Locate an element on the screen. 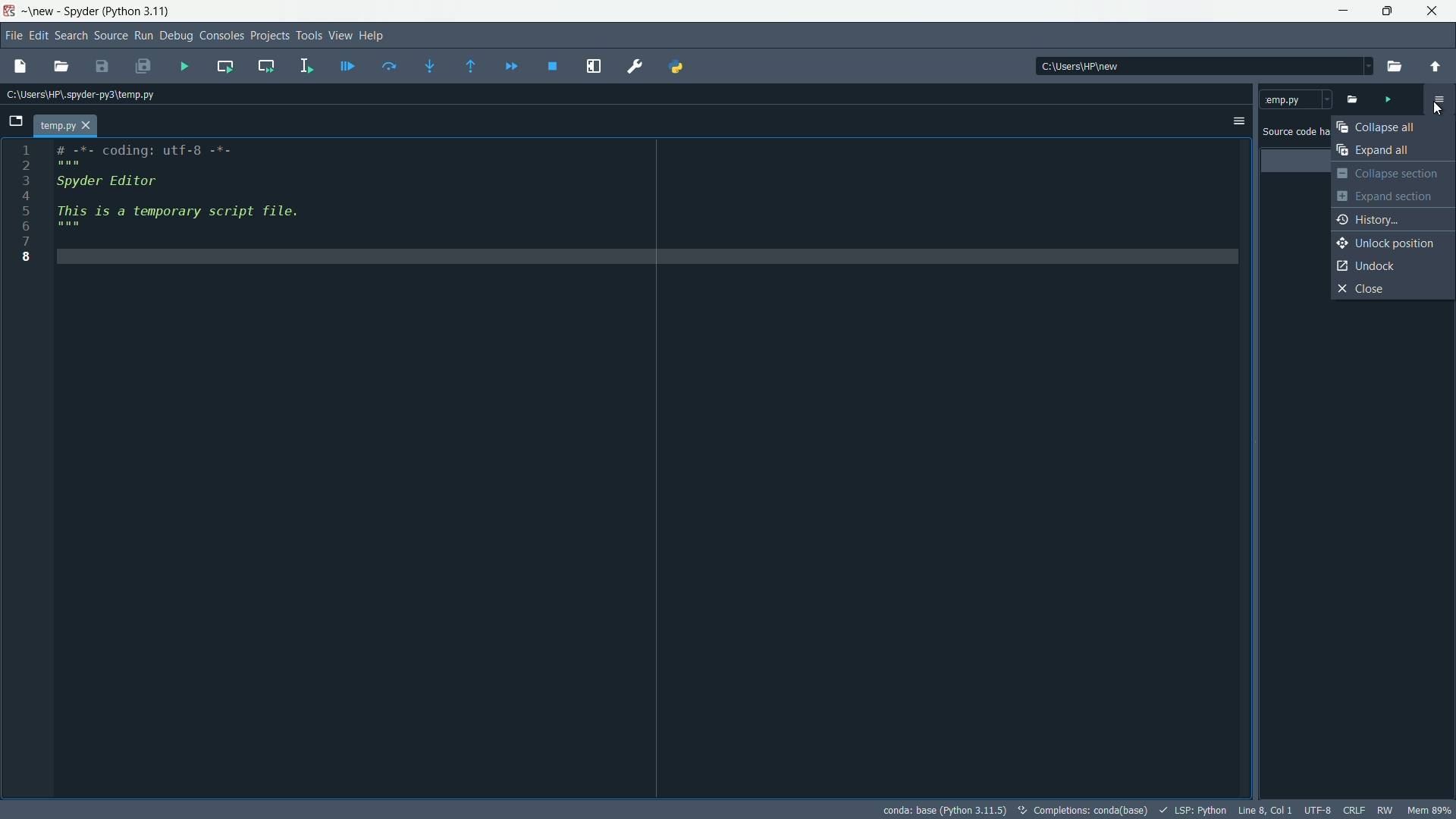 This screenshot has height=819, width=1456. directory: c:\users\hp\new is located at coordinates (1081, 67).